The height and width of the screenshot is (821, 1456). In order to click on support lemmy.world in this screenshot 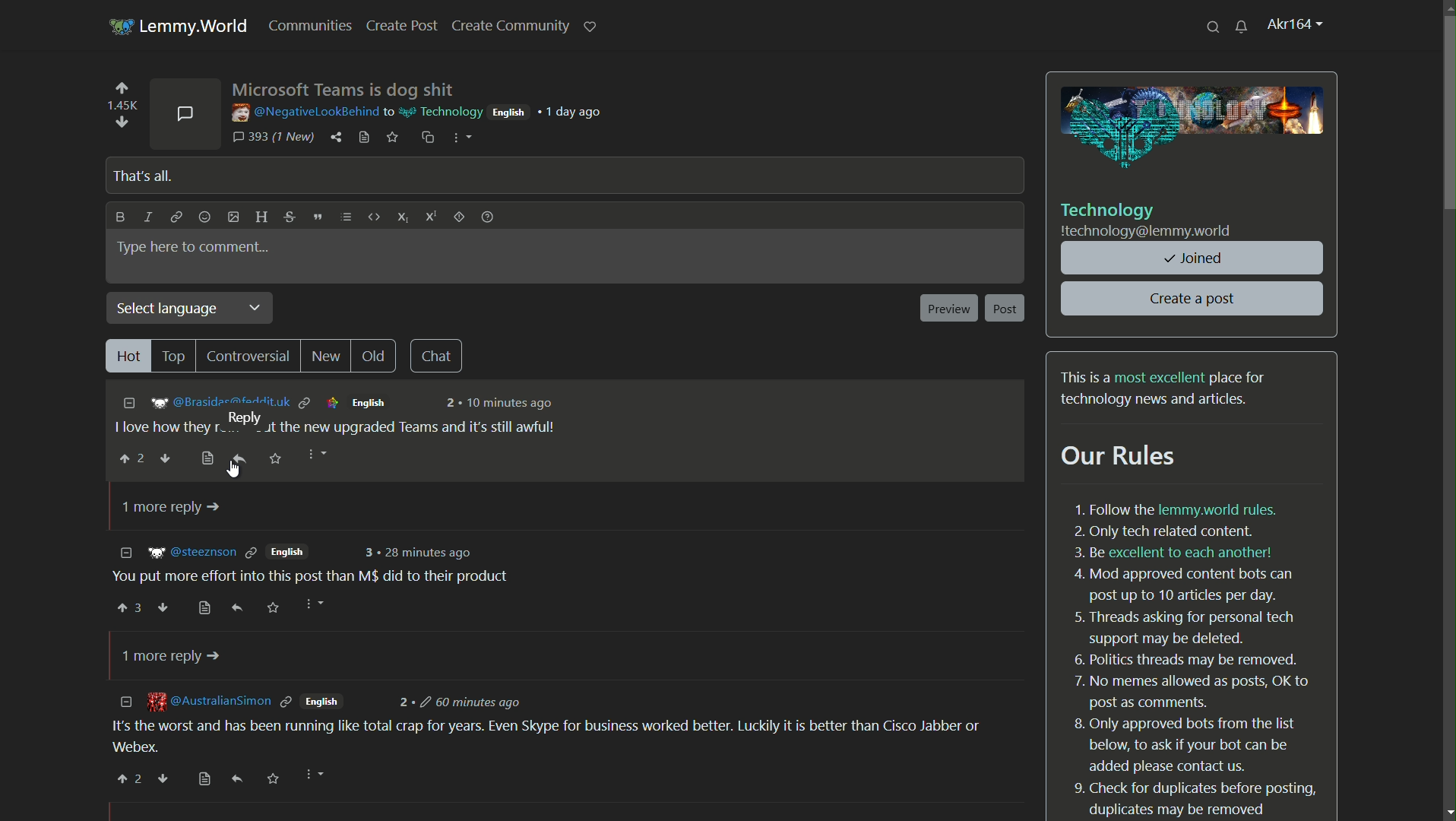, I will do `click(590, 25)`.